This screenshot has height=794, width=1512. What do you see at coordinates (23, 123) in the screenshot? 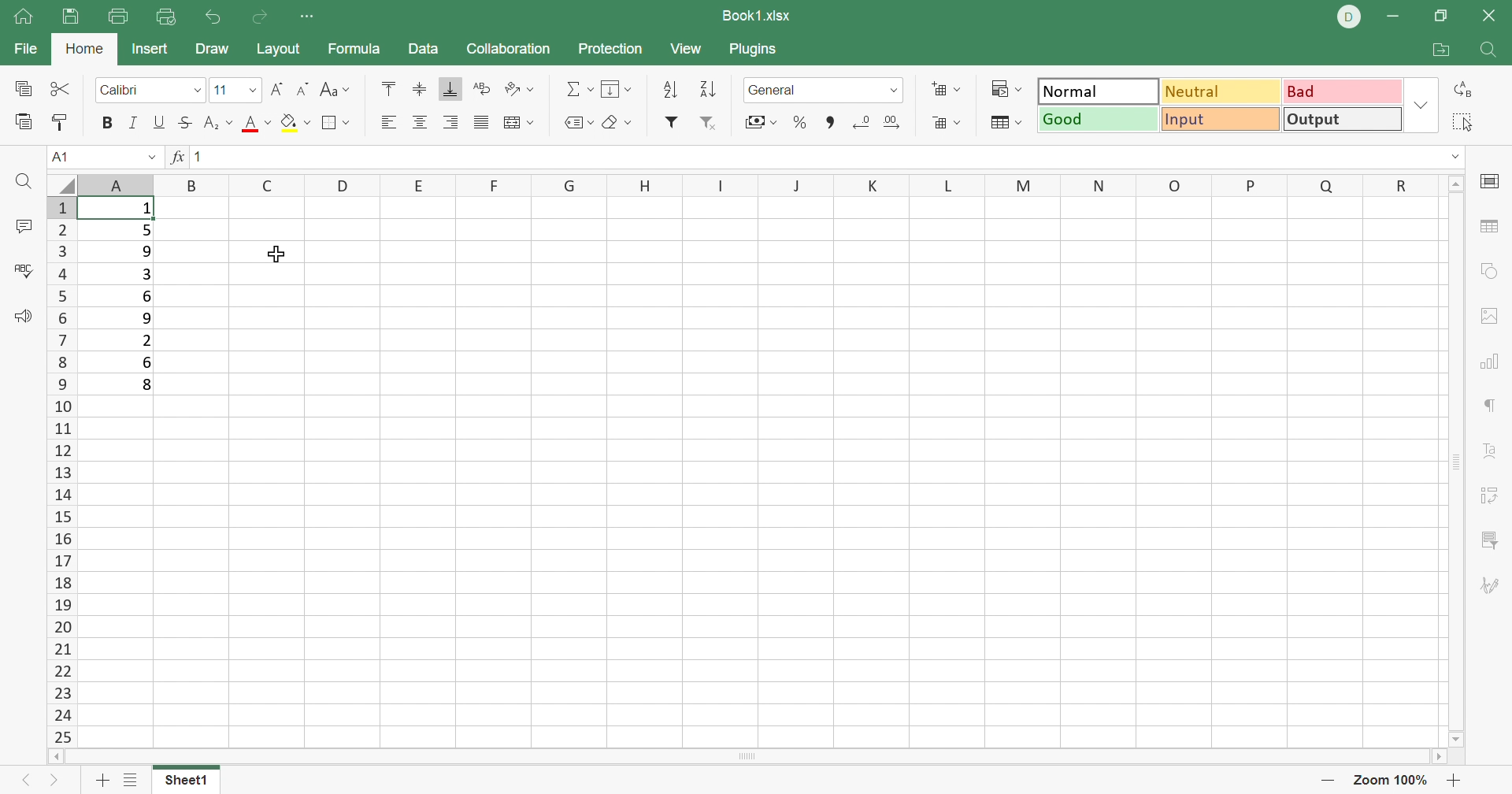
I see `Paste` at bounding box center [23, 123].